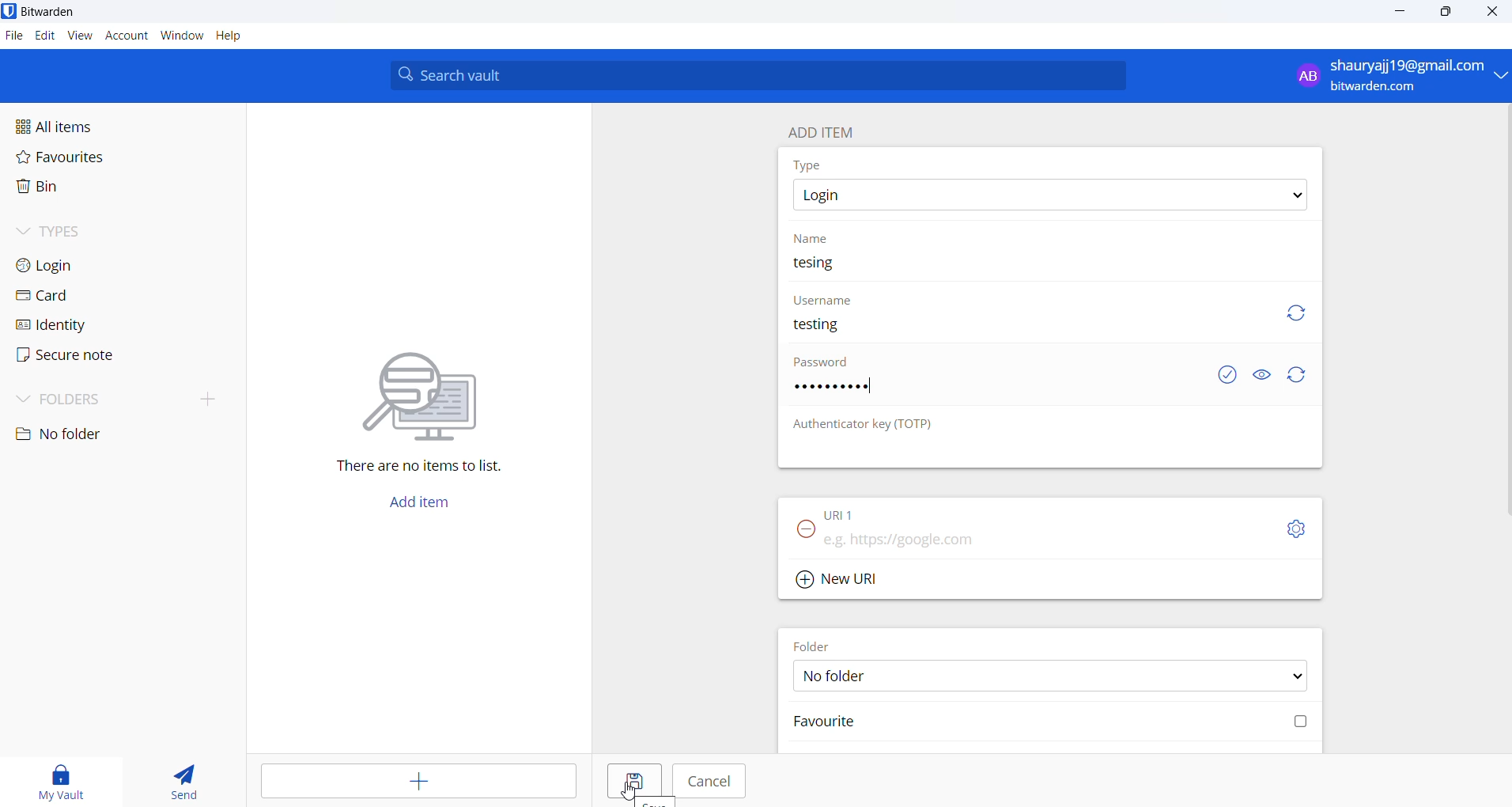 This screenshot has height=807, width=1512. I want to click on my vault, so click(64, 779).